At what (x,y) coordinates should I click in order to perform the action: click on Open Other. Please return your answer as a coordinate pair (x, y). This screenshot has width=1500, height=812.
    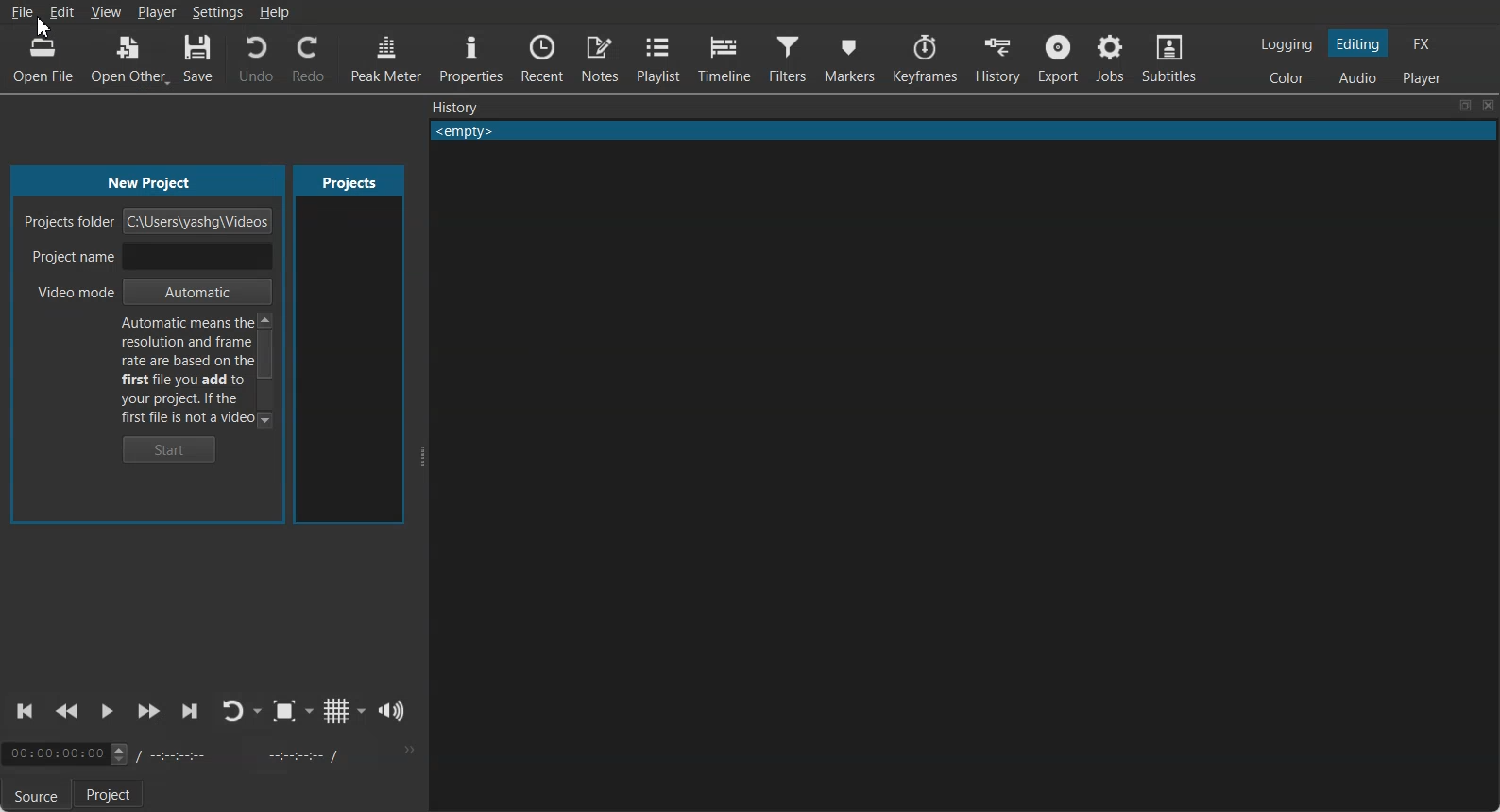
    Looking at the image, I should click on (130, 59).